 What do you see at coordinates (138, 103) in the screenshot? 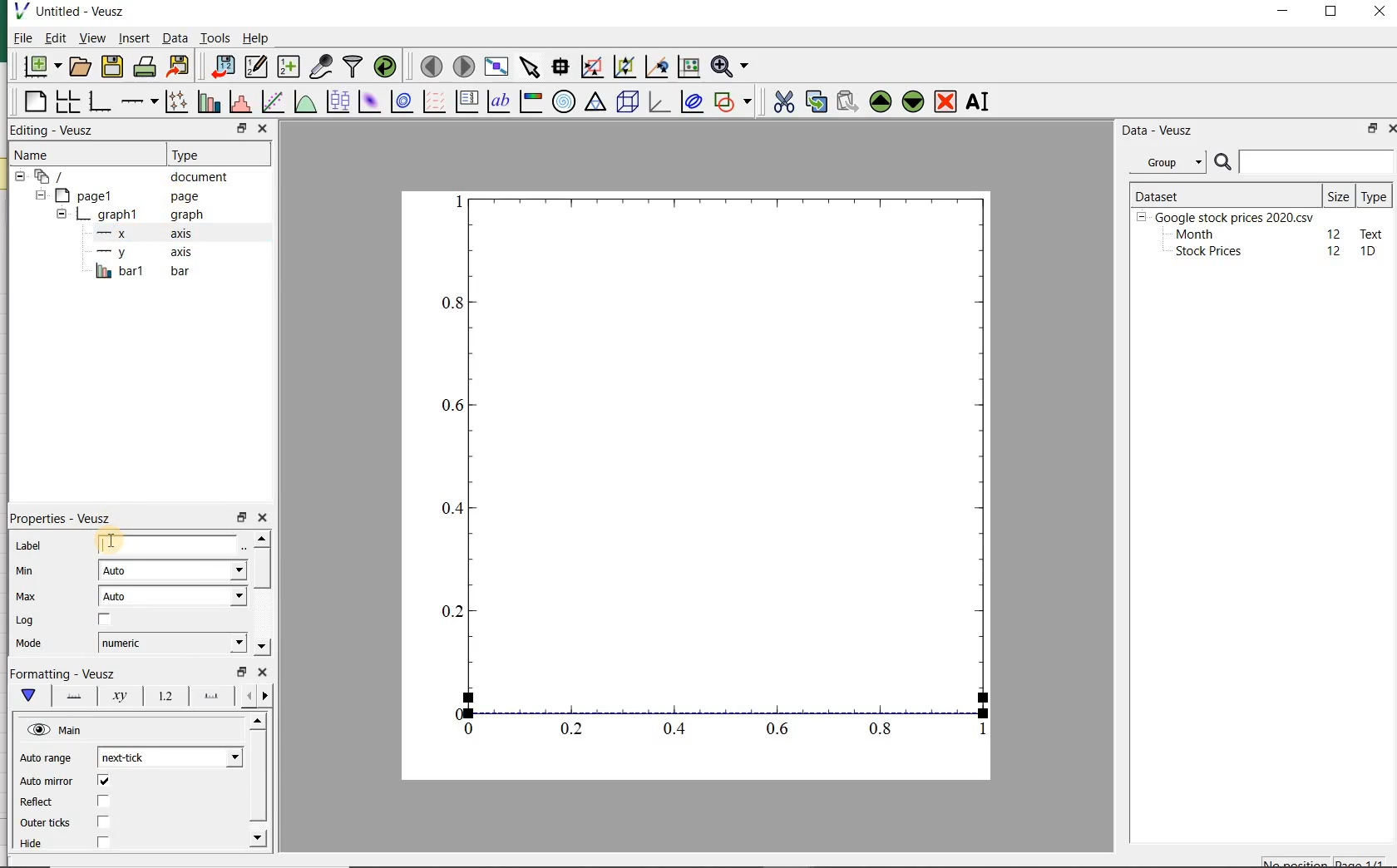
I see `add an axis to the plot` at bounding box center [138, 103].